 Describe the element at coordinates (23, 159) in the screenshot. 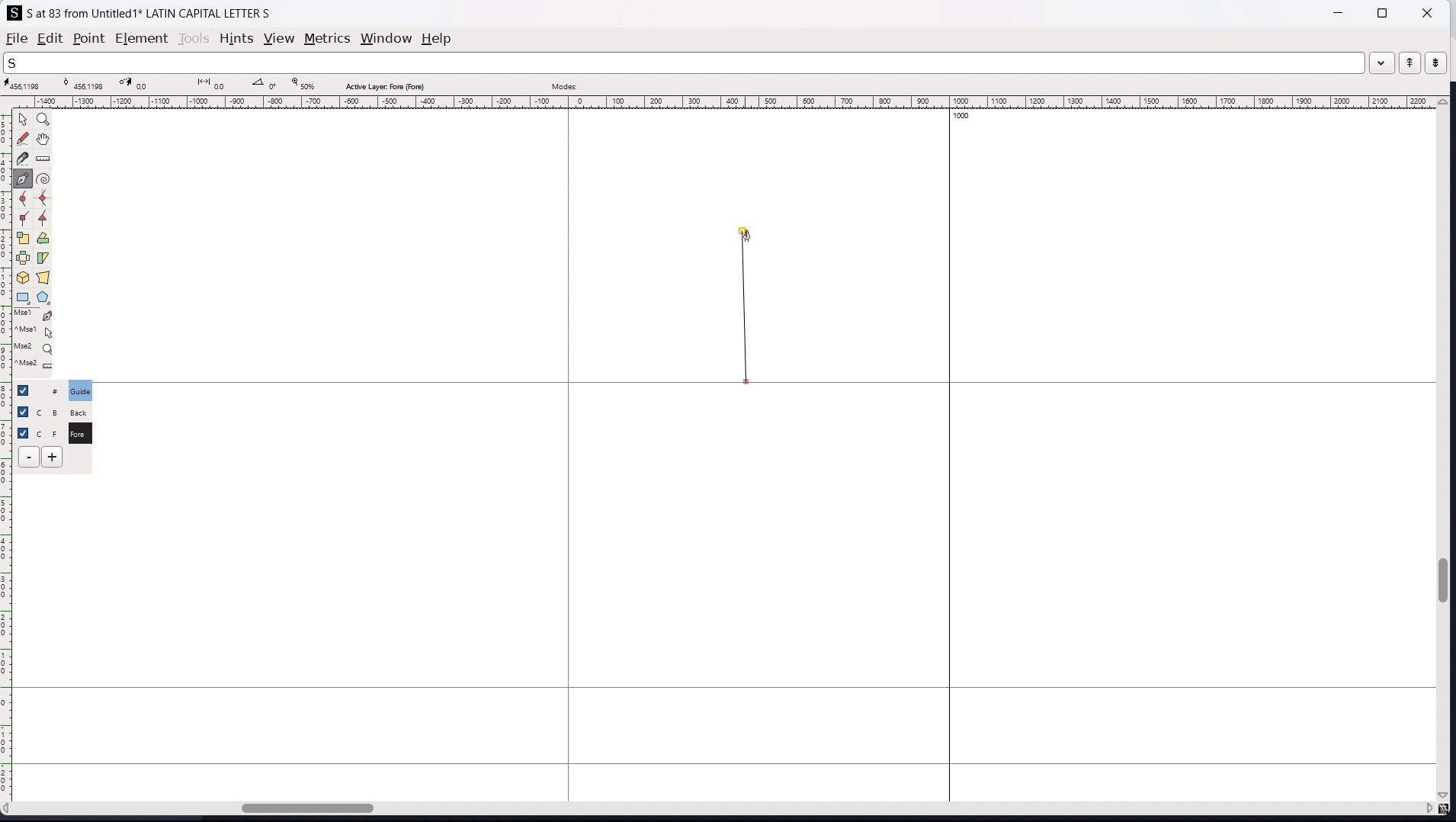

I see `cut splines in two` at that location.